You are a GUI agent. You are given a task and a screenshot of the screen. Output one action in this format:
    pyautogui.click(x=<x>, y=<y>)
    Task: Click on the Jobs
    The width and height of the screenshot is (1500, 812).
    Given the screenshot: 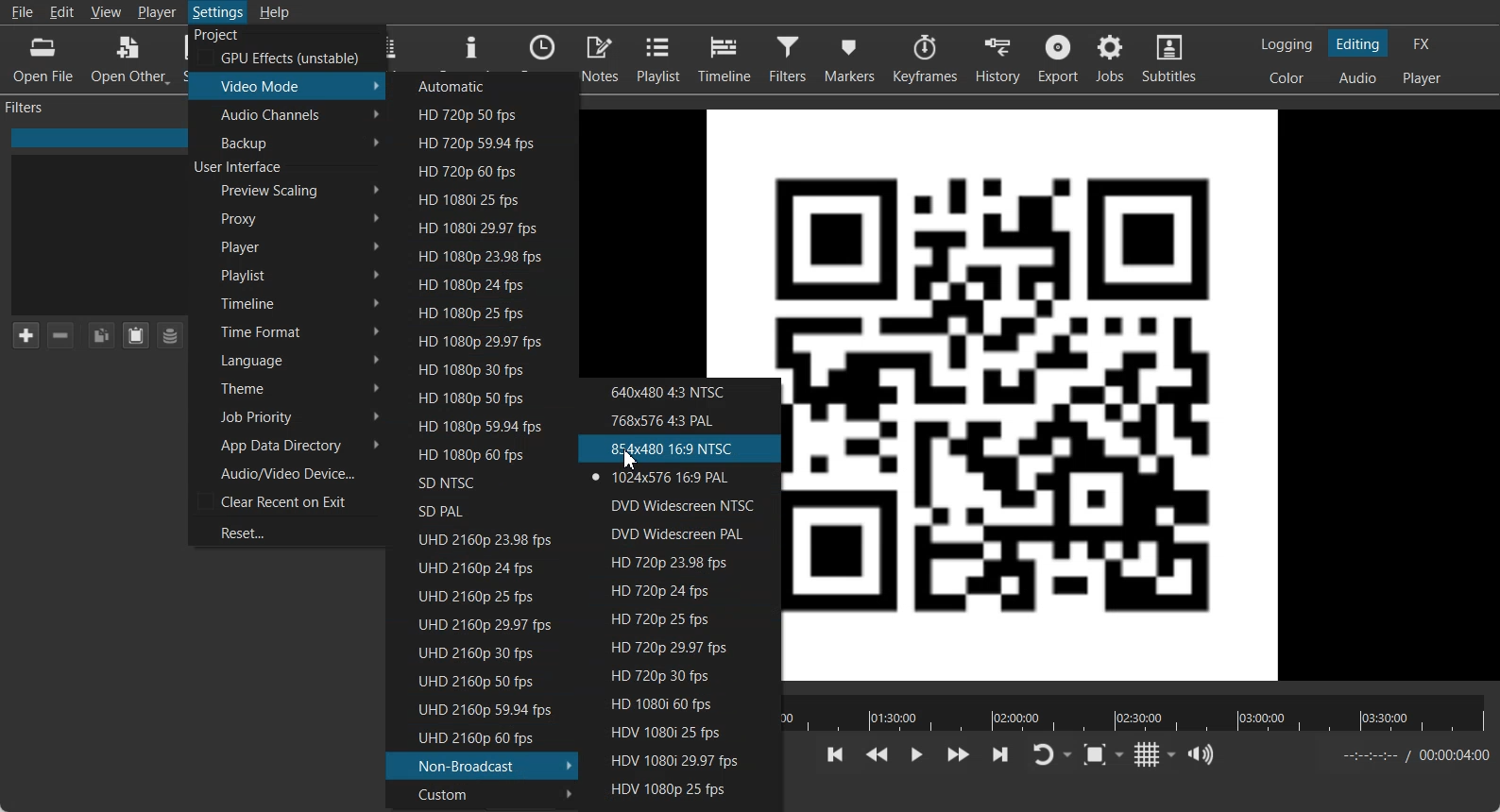 What is the action you would take?
    pyautogui.click(x=1112, y=59)
    